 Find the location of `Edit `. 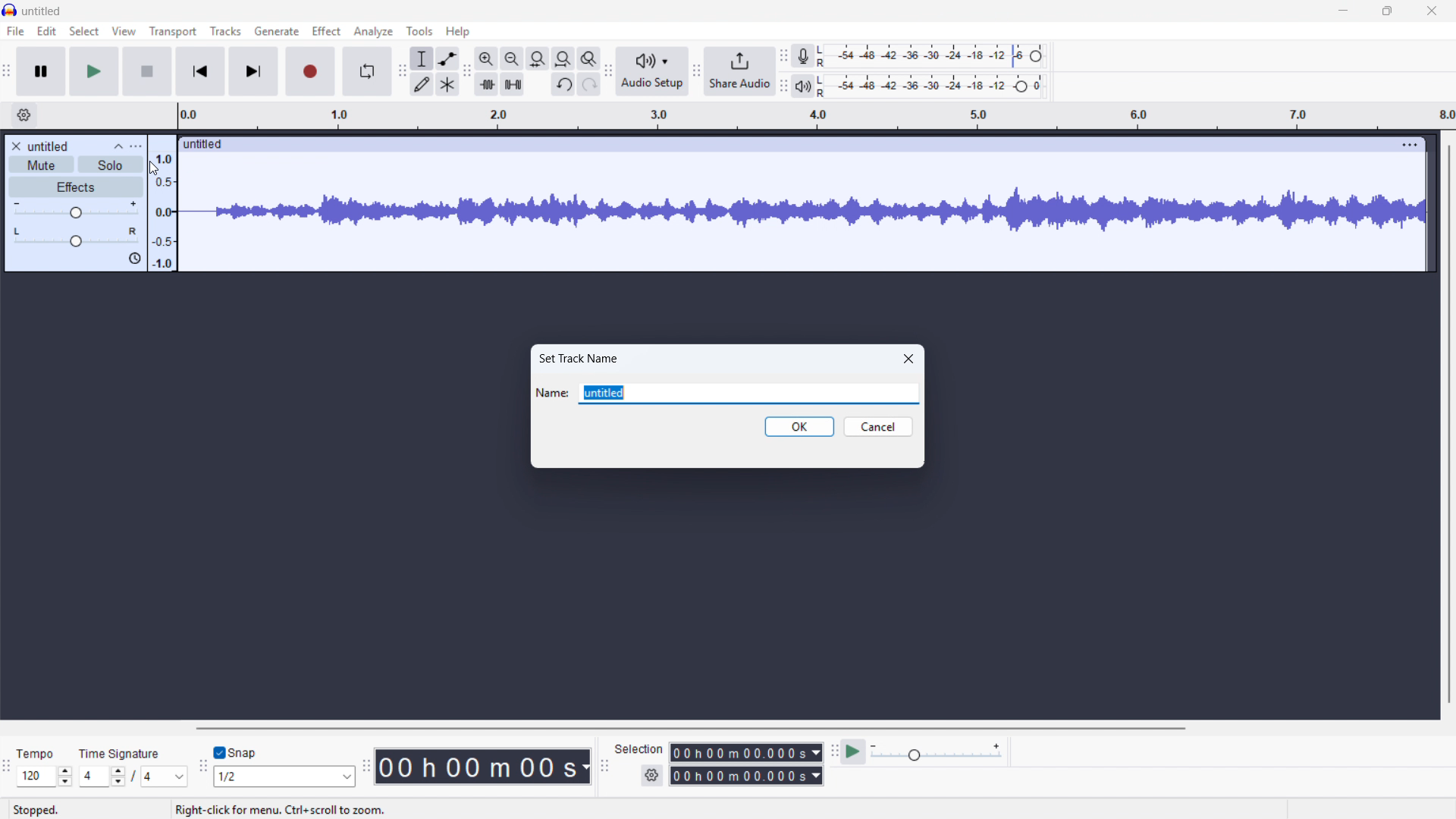

Edit  is located at coordinates (46, 32).